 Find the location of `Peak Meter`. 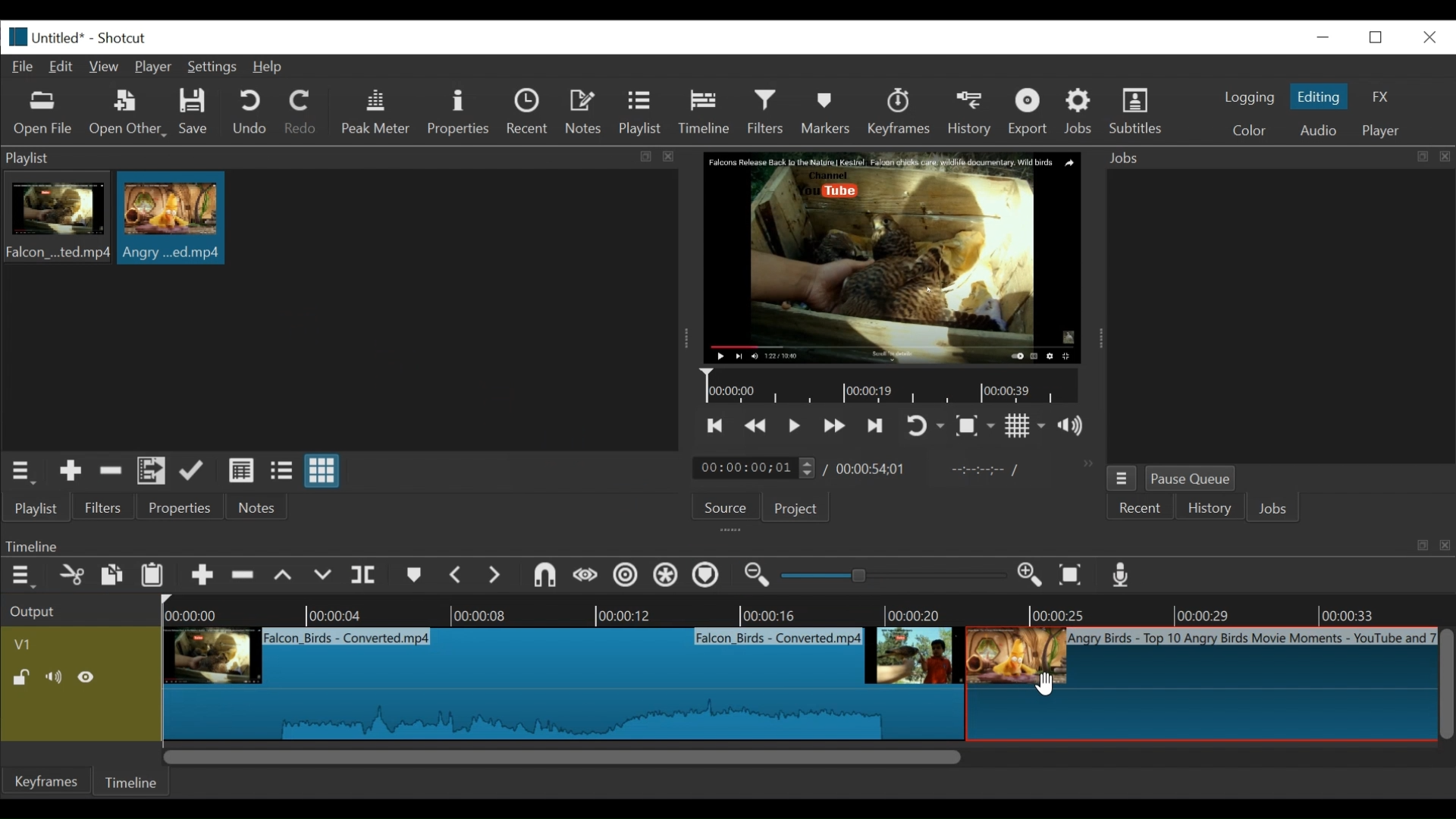

Peak Meter is located at coordinates (378, 112).